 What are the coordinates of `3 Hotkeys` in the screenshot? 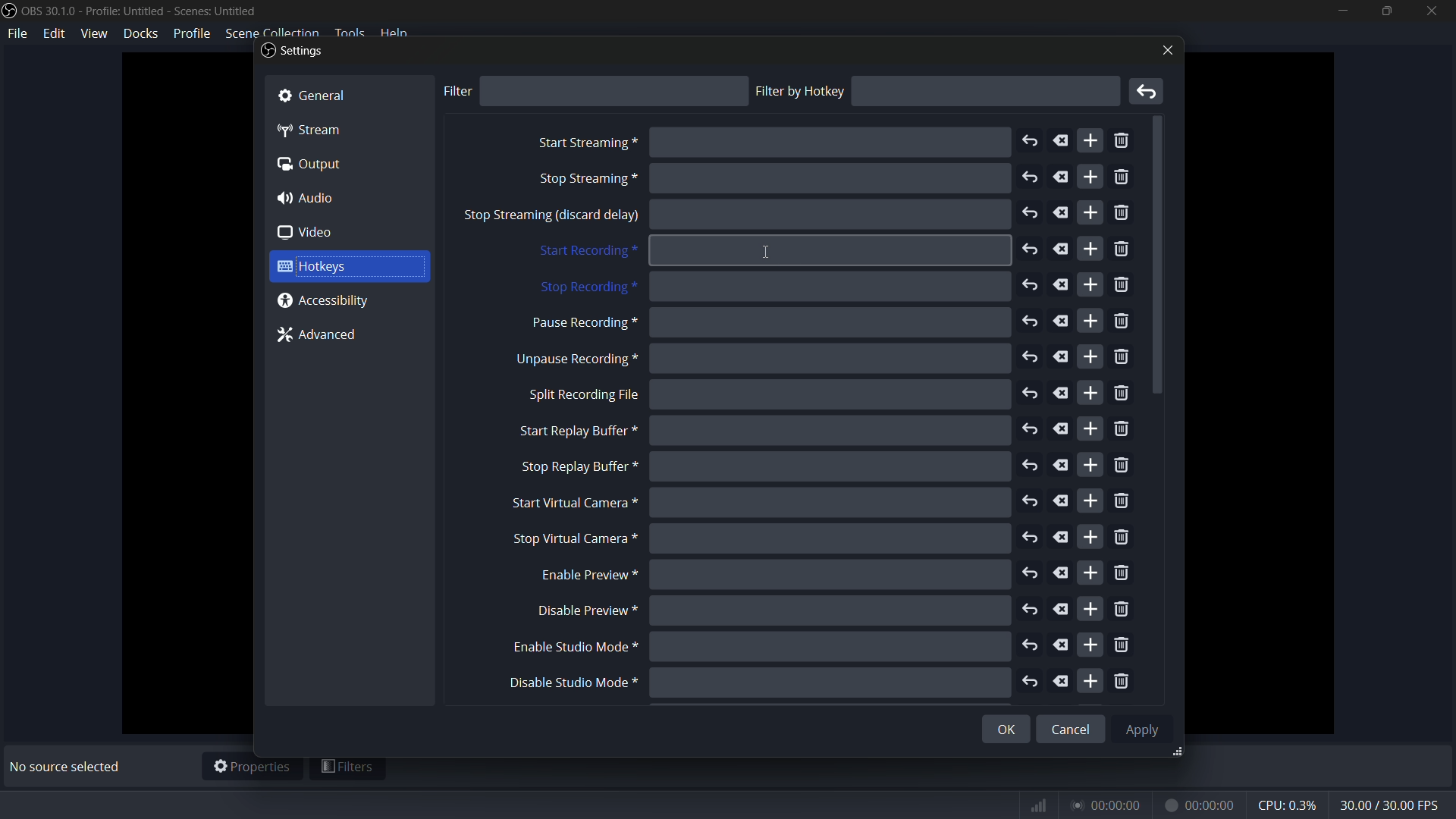 It's located at (334, 267).